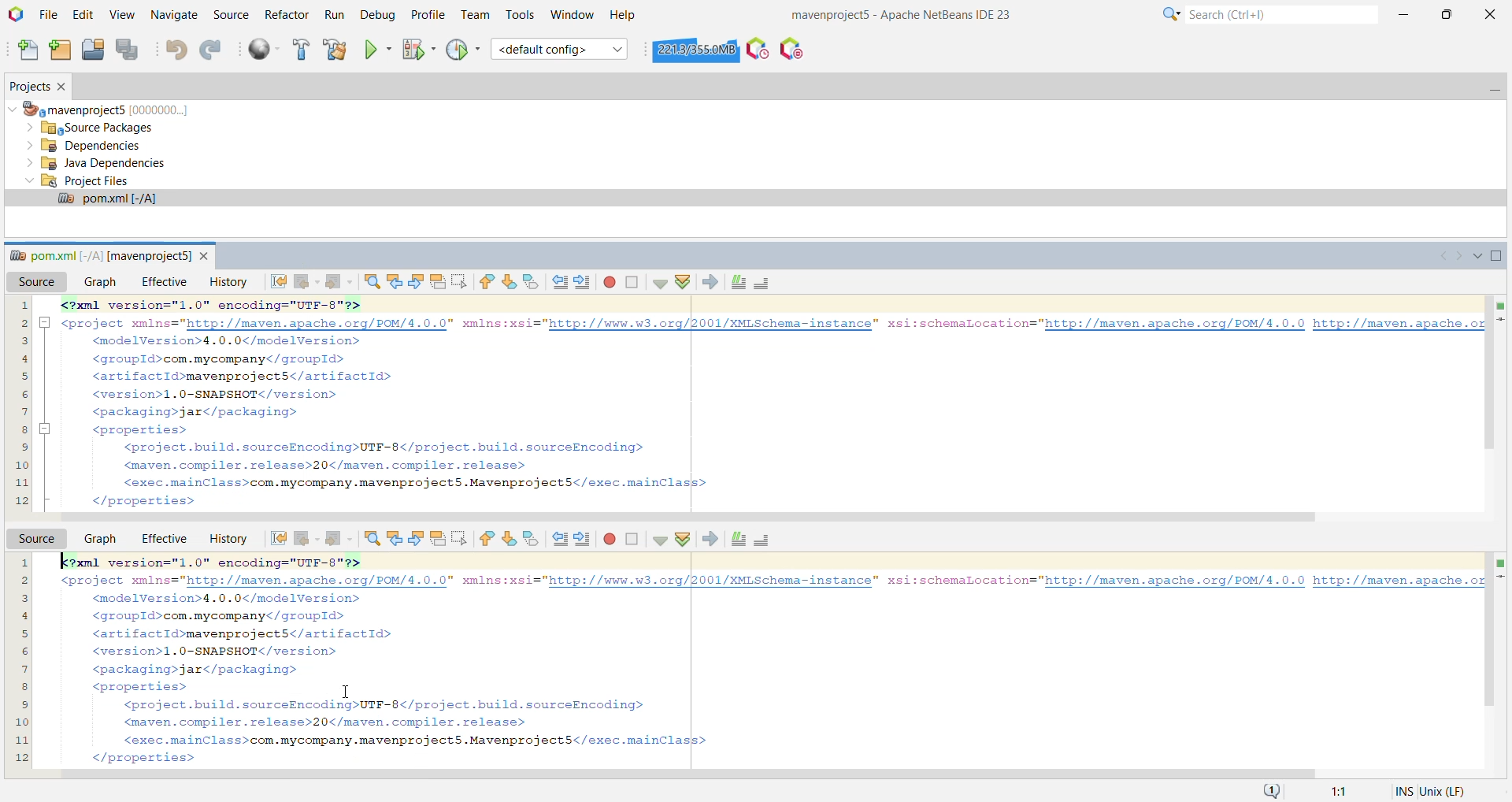 The height and width of the screenshot is (802, 1512). What do you see at coordinates (396, 281) in the screenshot?
I see `Find previous occurrence` at bounding box center [396, 281].